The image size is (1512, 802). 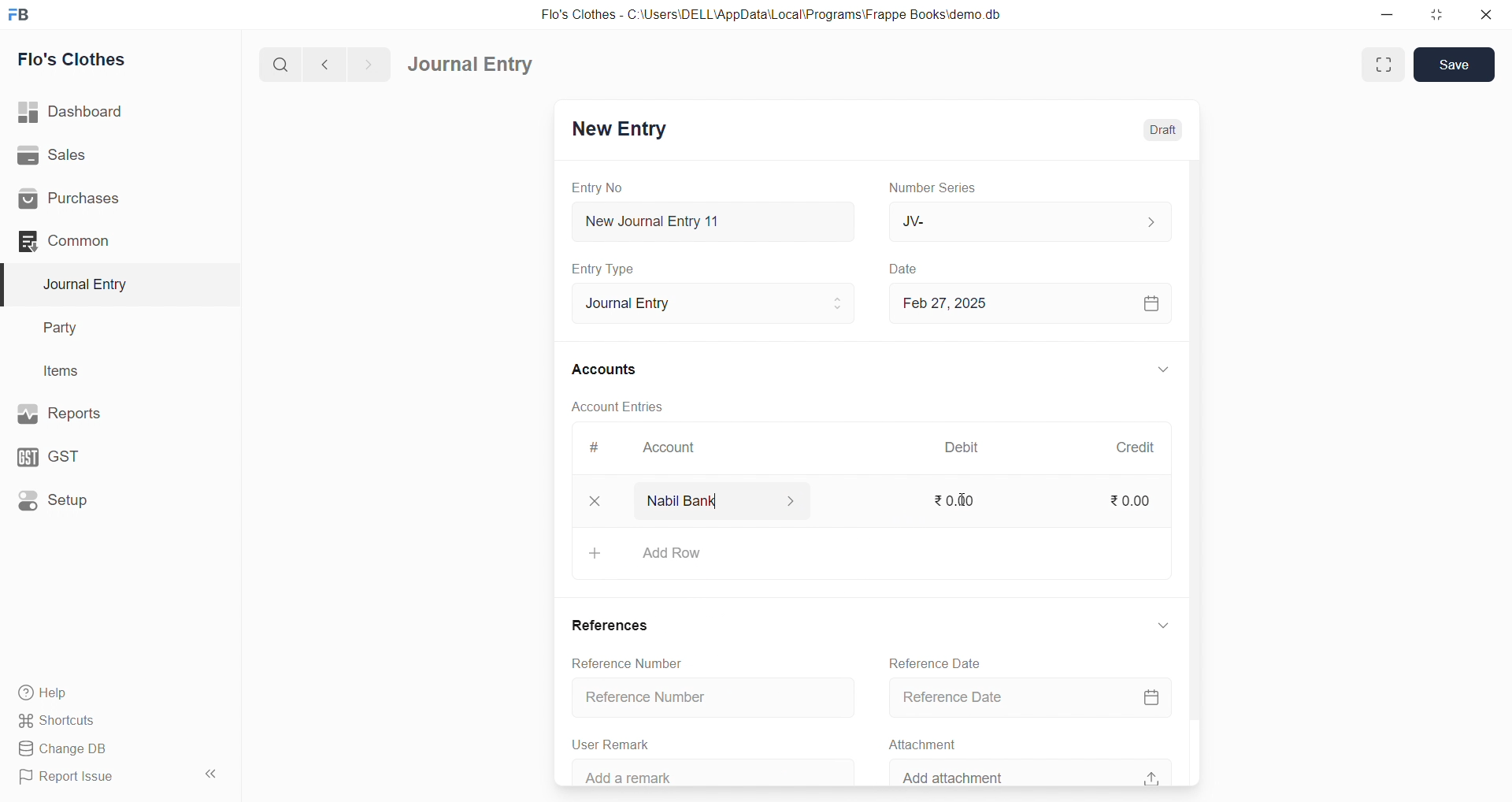 I want to click on cursor, so click(x=967, y=507).